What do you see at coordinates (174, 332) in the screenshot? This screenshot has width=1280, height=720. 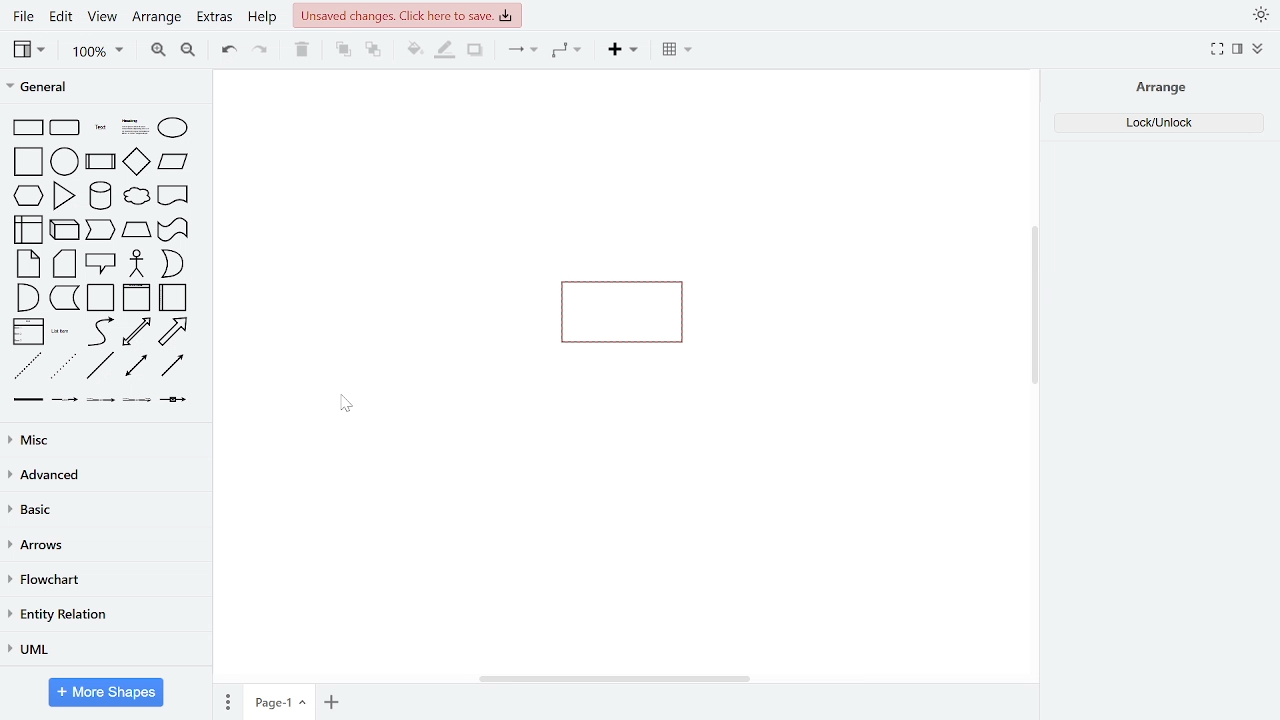 I see `arrow` at bounding box center [174, 332].